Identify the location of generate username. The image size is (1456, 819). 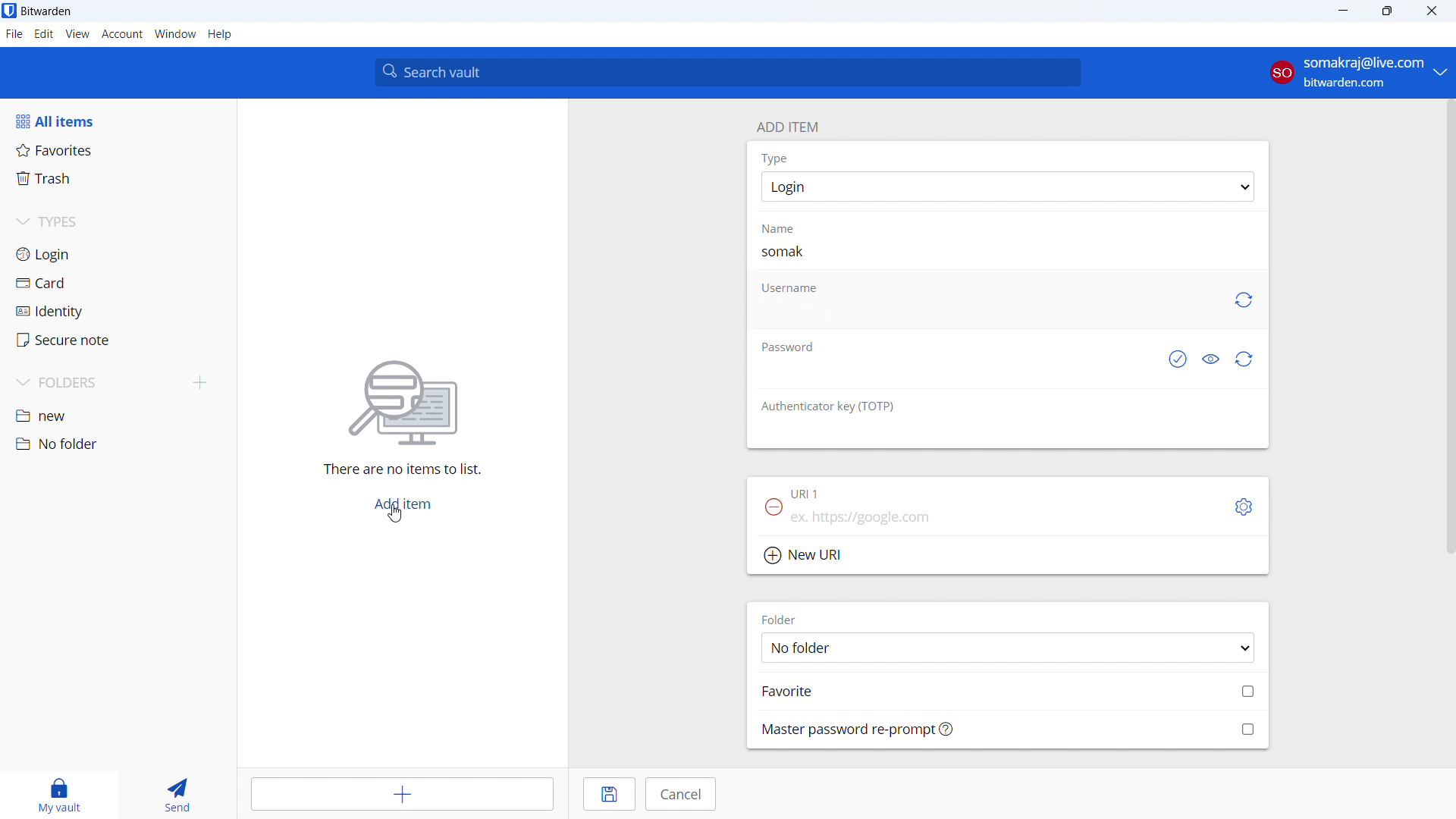
(1242, 300).